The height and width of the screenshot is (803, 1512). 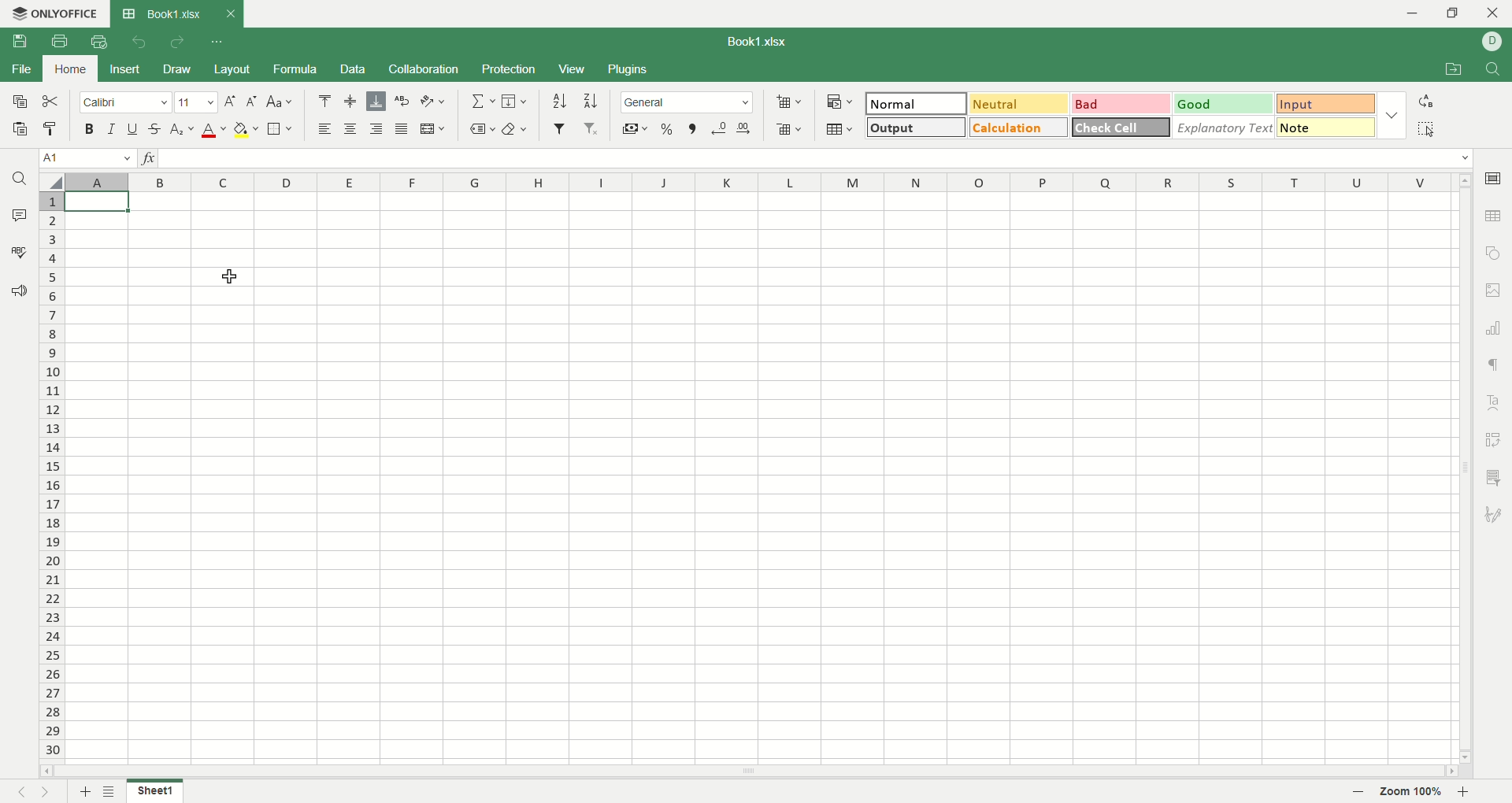 What do you see at coordinates (1455, 13) in the screenshot?
I see `maximize` at bounding box center [1455, 13].